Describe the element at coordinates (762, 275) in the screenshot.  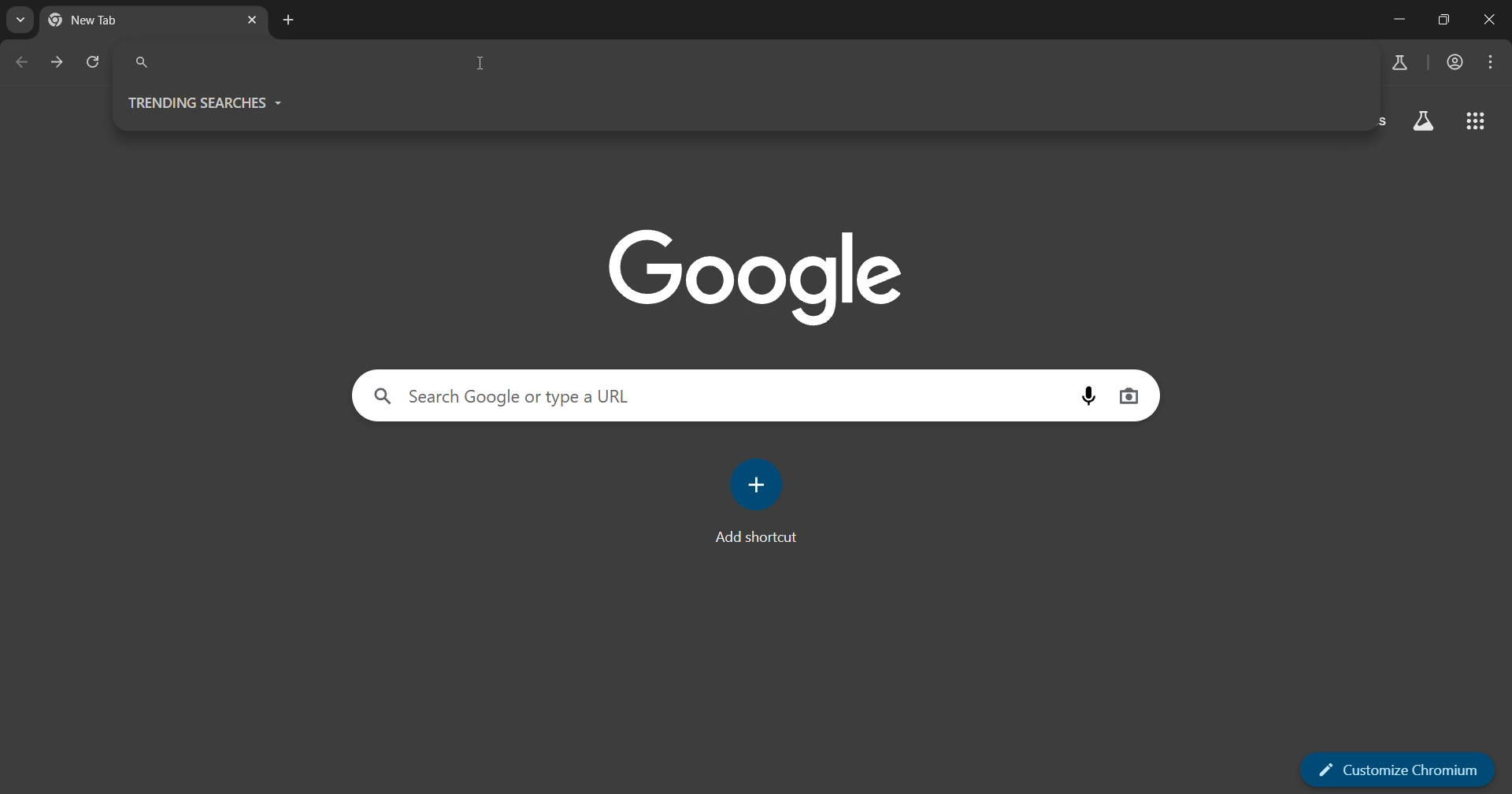
I see `Google` at that location.